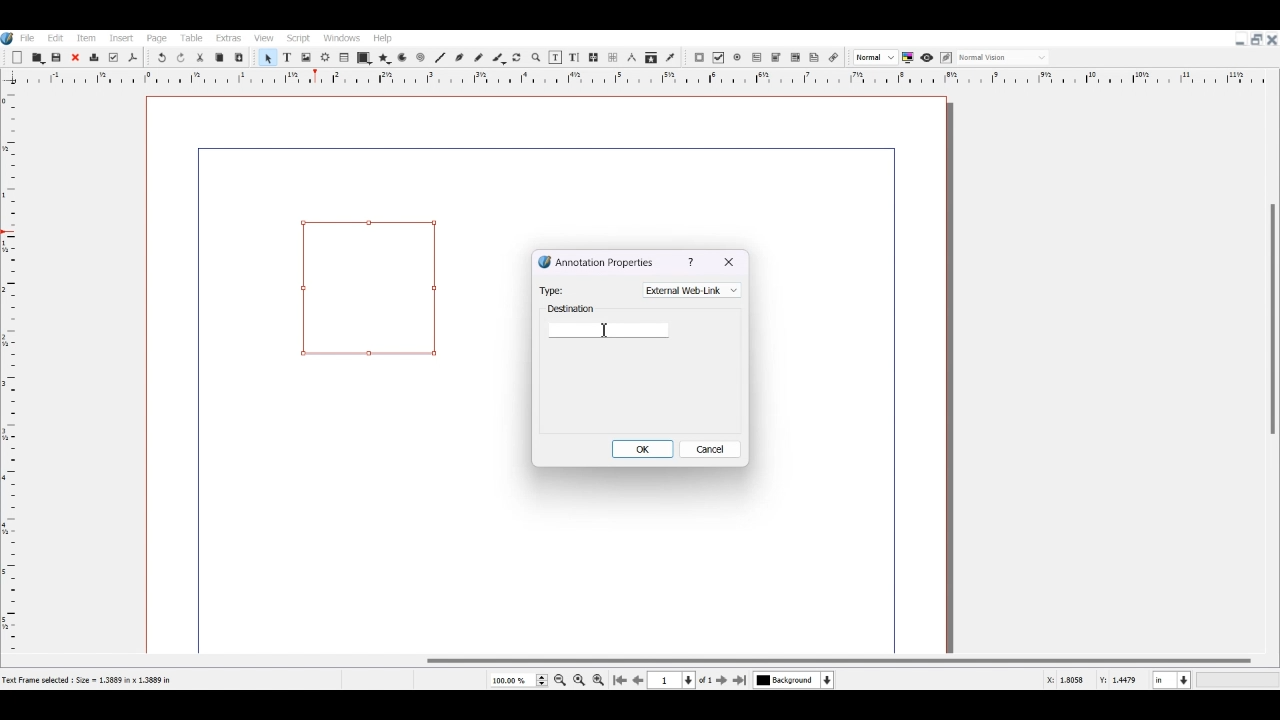  Describe the element at coordinates (8, 38) in the screenshot. I see `Logo` at that location.